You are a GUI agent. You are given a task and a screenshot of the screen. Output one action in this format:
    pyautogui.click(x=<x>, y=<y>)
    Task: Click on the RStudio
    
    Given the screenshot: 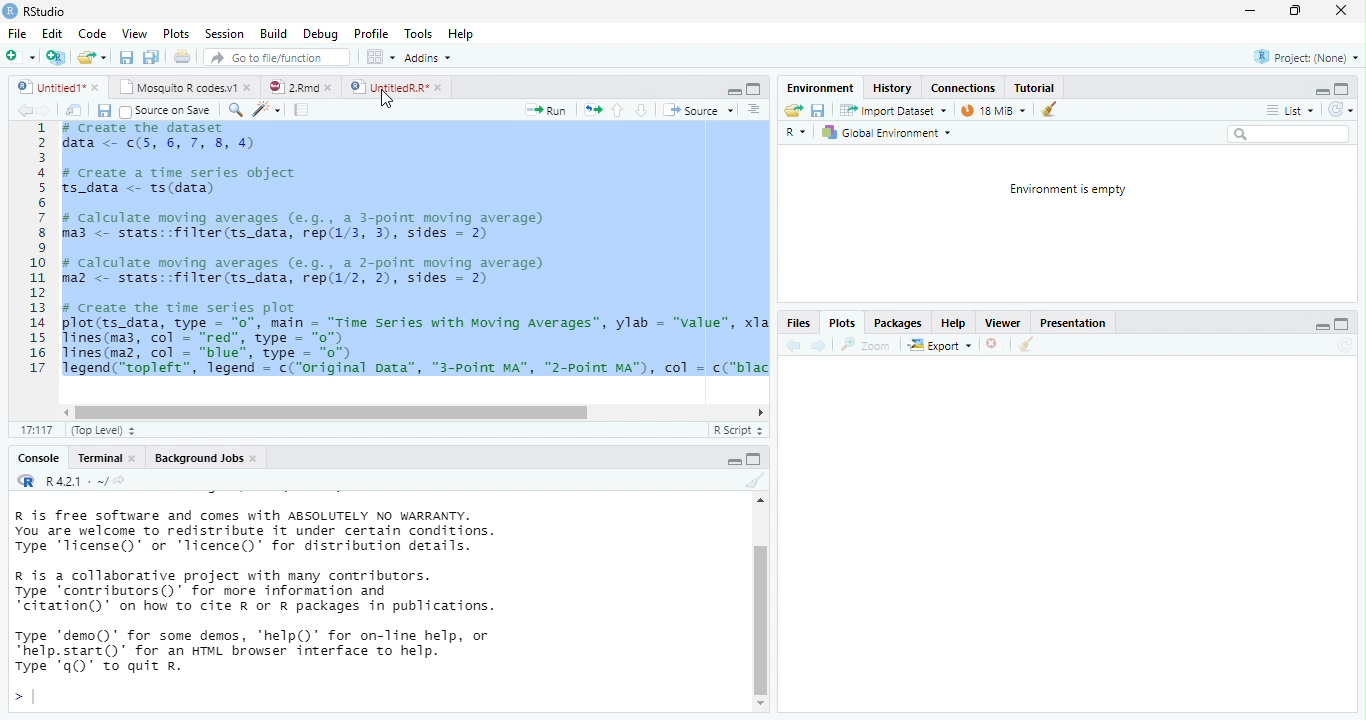 What is the action you would take?
    pyautogui.click(x=36, y=10)
    